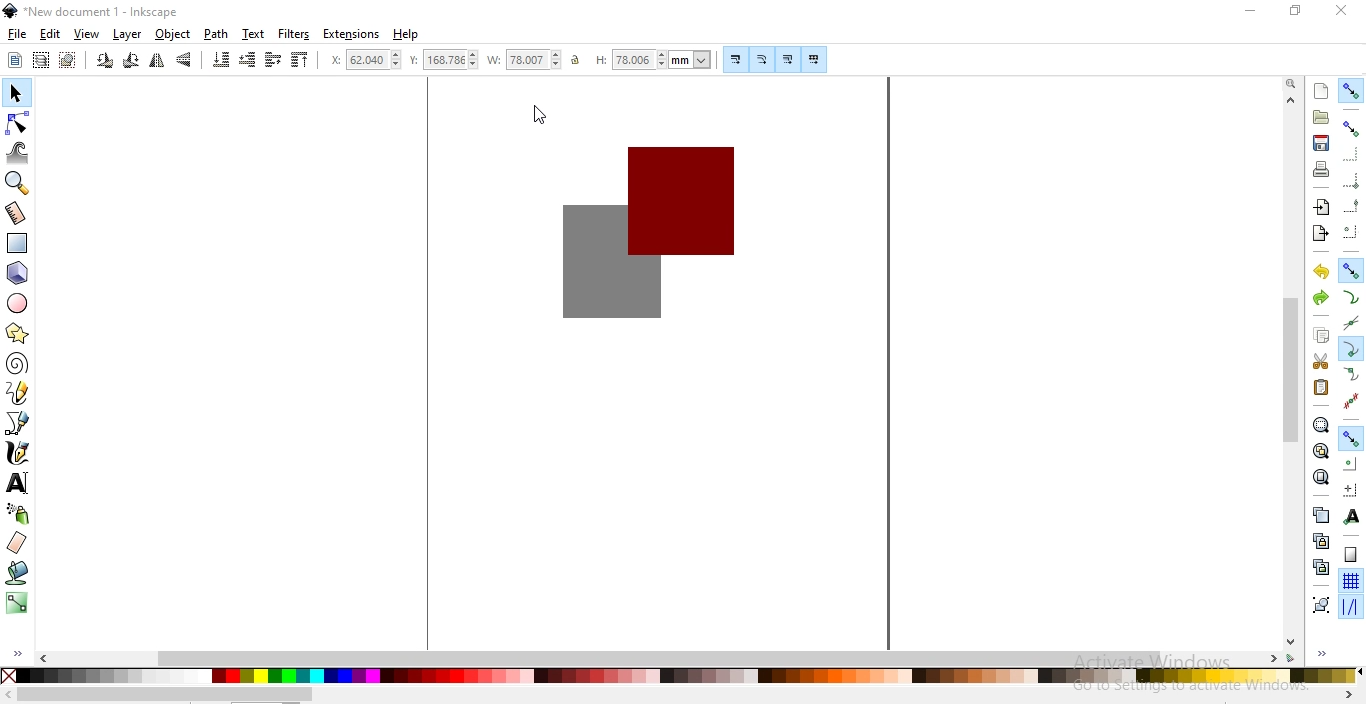 Image resolution: width=1366 pixels, height=704 pixels. I want to click on undo, so click(1321, 272).